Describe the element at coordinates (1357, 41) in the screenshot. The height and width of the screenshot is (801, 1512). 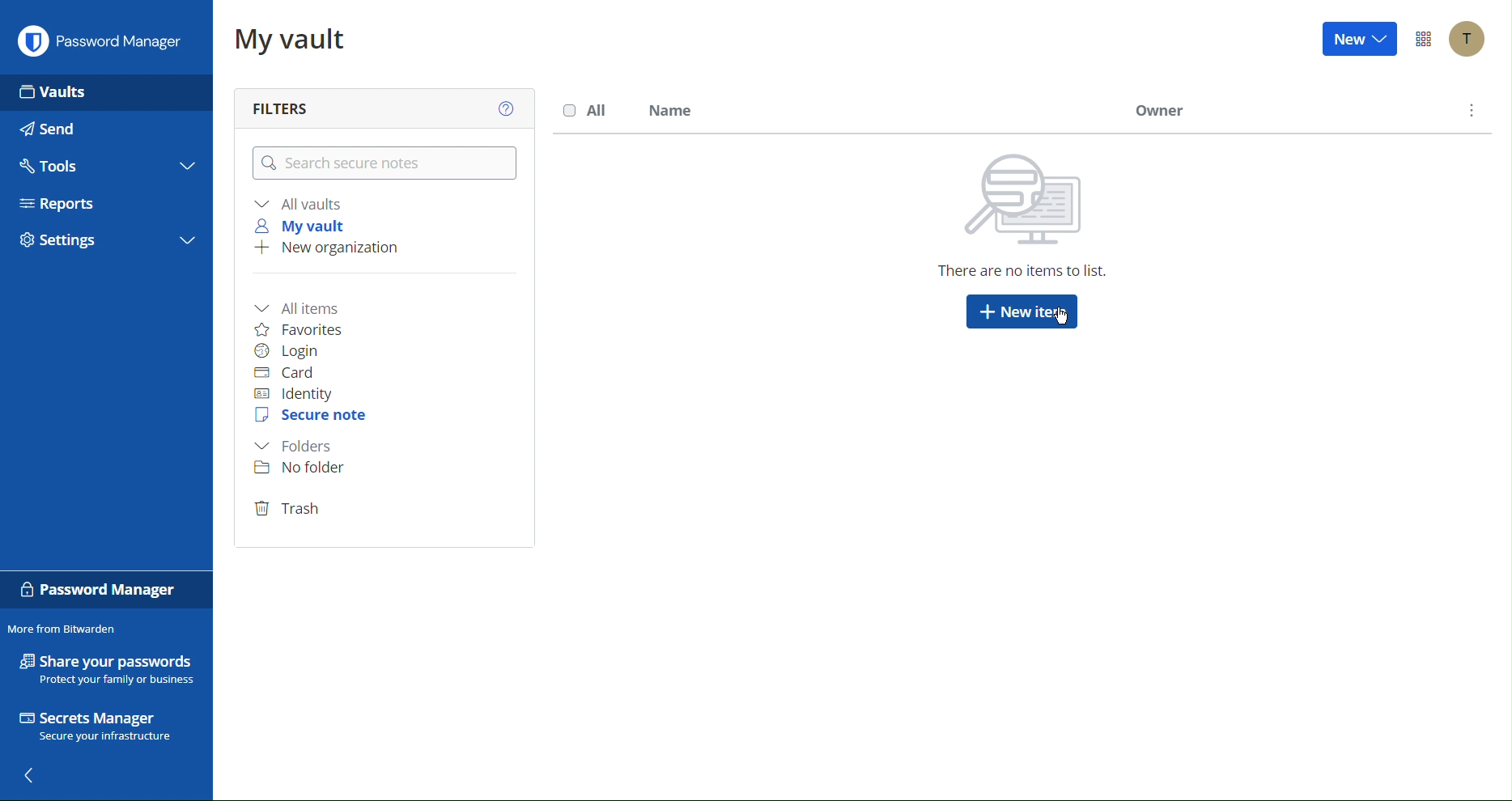
I see `New` at that location.